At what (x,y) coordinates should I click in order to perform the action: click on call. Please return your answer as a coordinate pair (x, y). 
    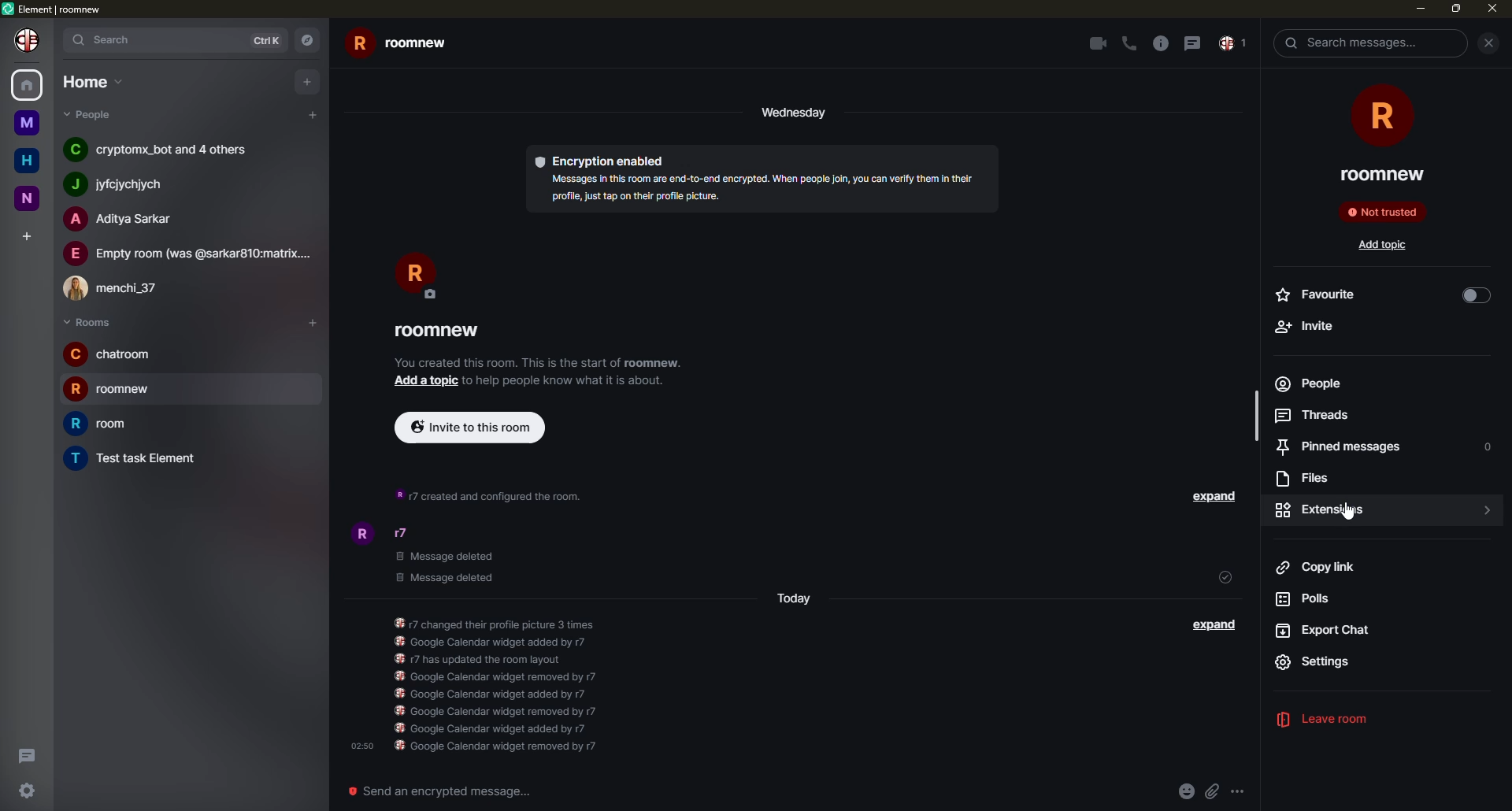
    Looking at the image, I should click on (1130, 44).